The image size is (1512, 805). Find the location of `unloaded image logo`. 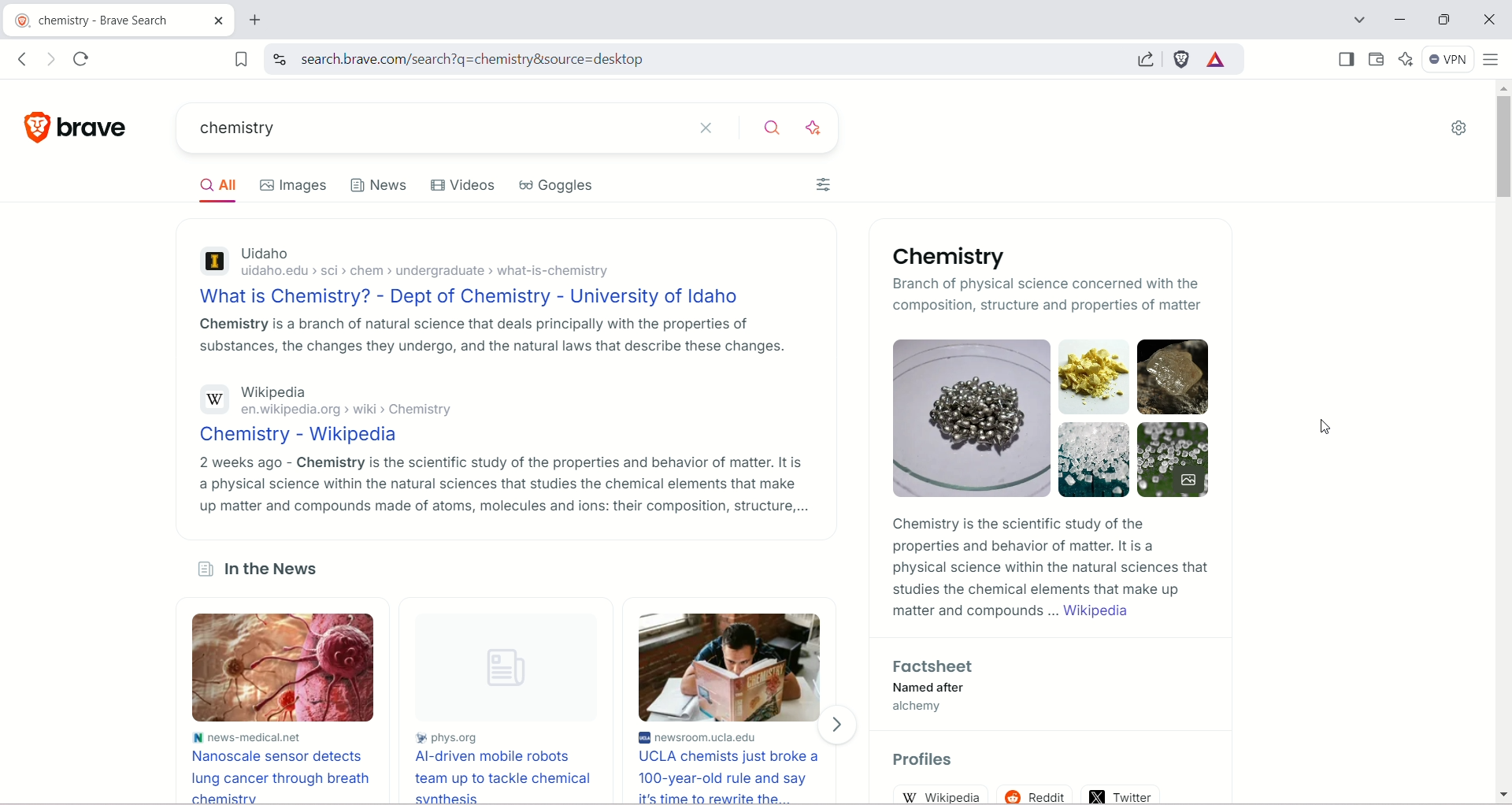

unloaded image logo is located at coordinates (500, 667).